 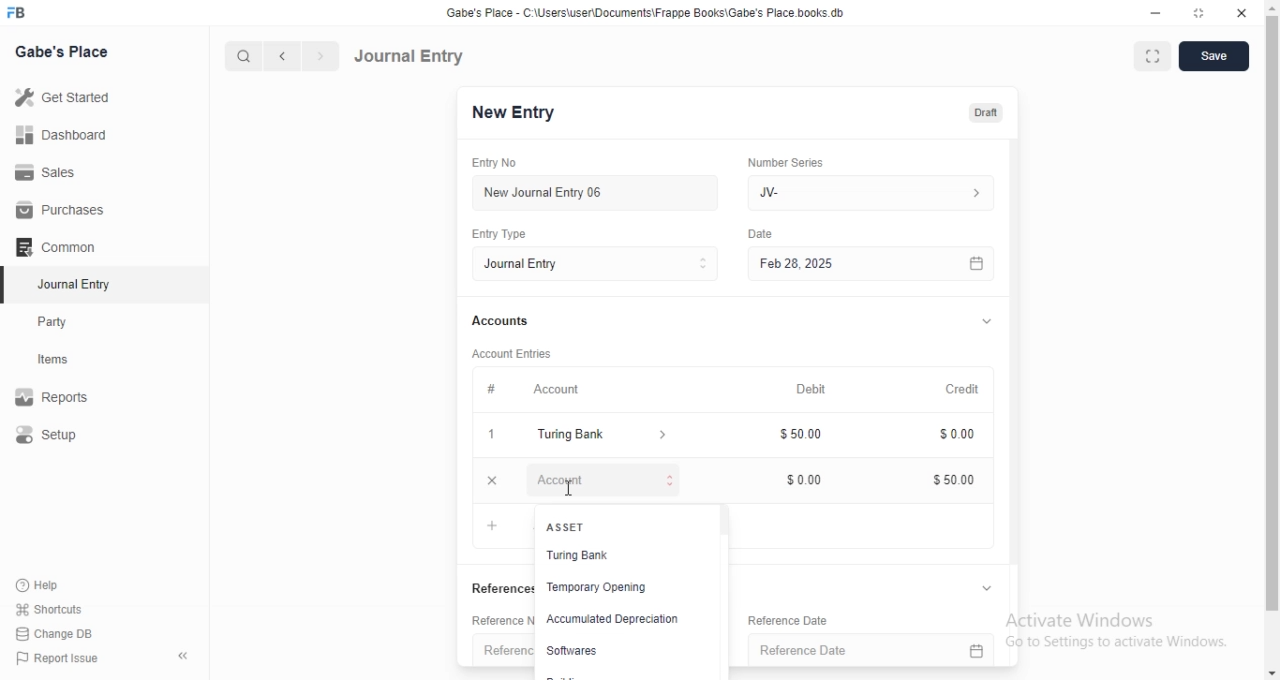 I want to click on ) Report Issue, so click(x=59, y=659).